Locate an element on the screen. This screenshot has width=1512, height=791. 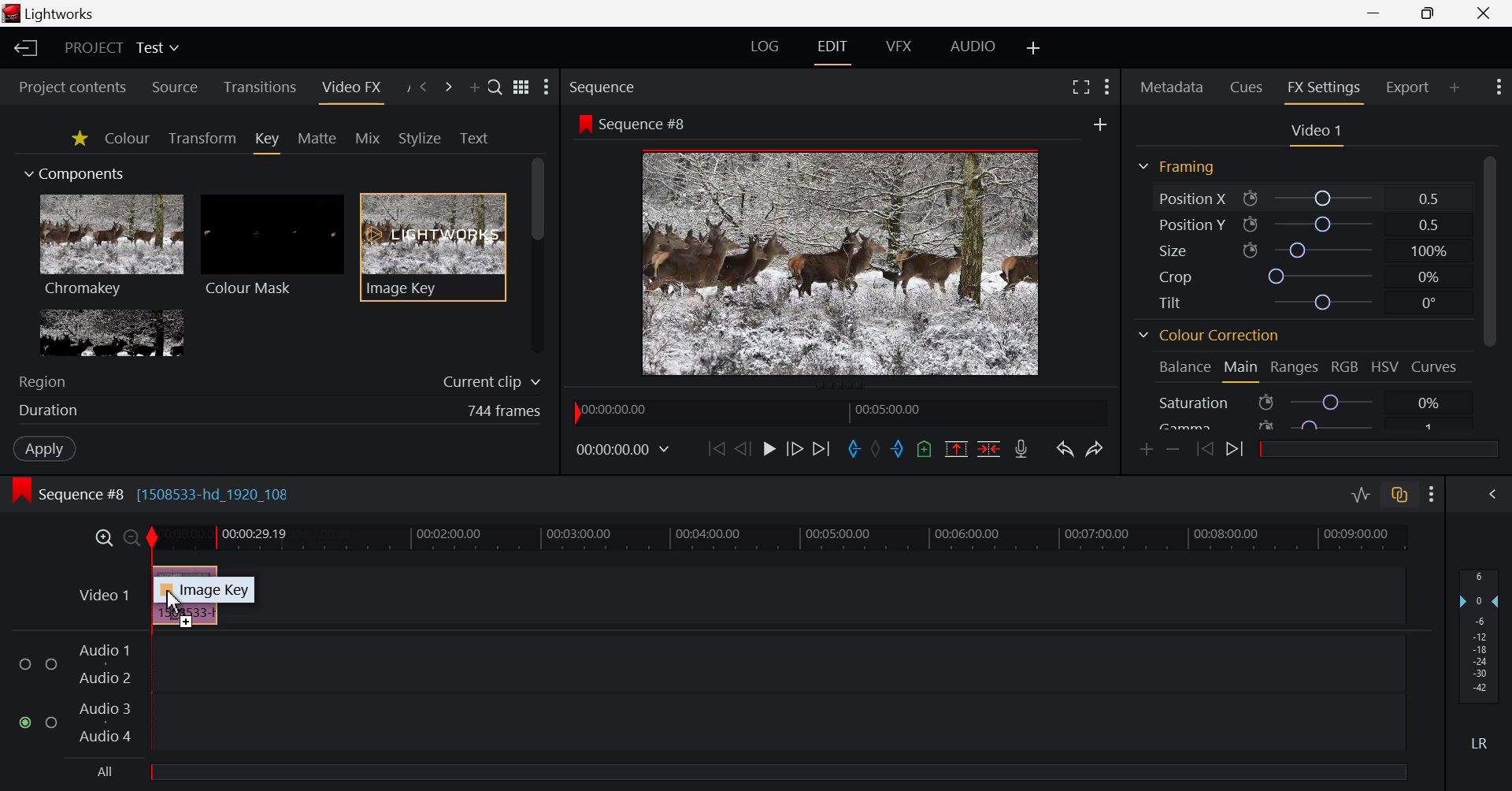
0% is located at coordinates (1429, 277).